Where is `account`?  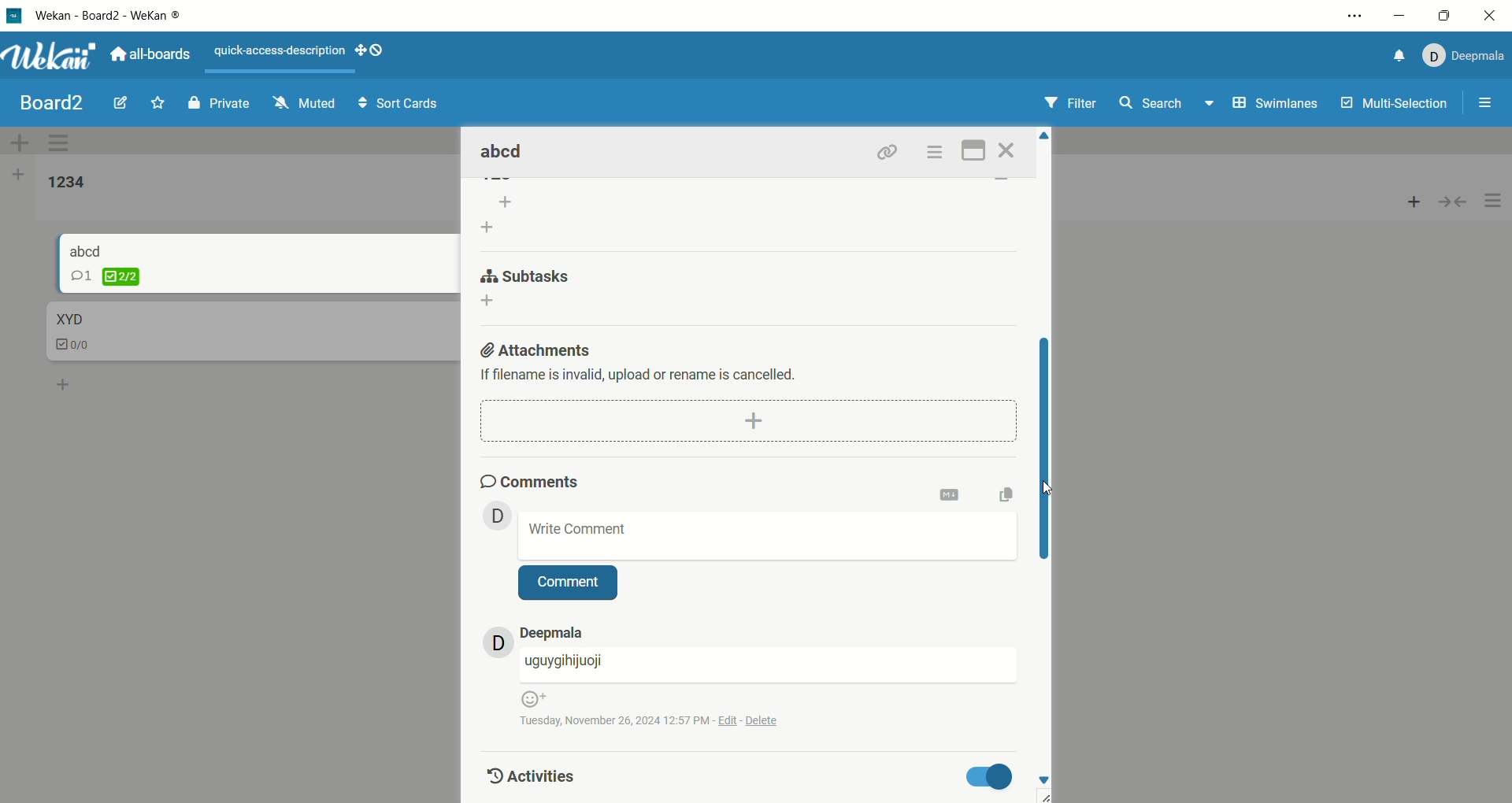 account is located at coordinates (1461, 56).